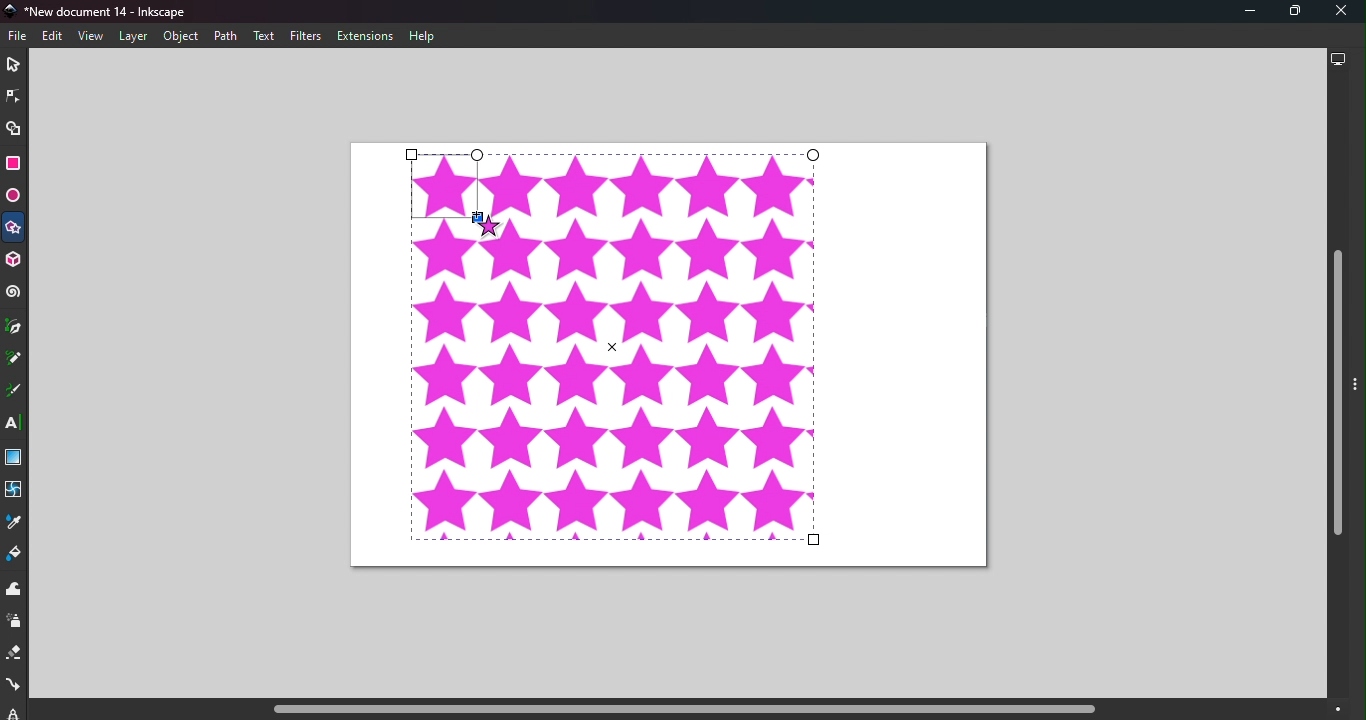  I want to click on Toggle command panel, so click(1358, 395).